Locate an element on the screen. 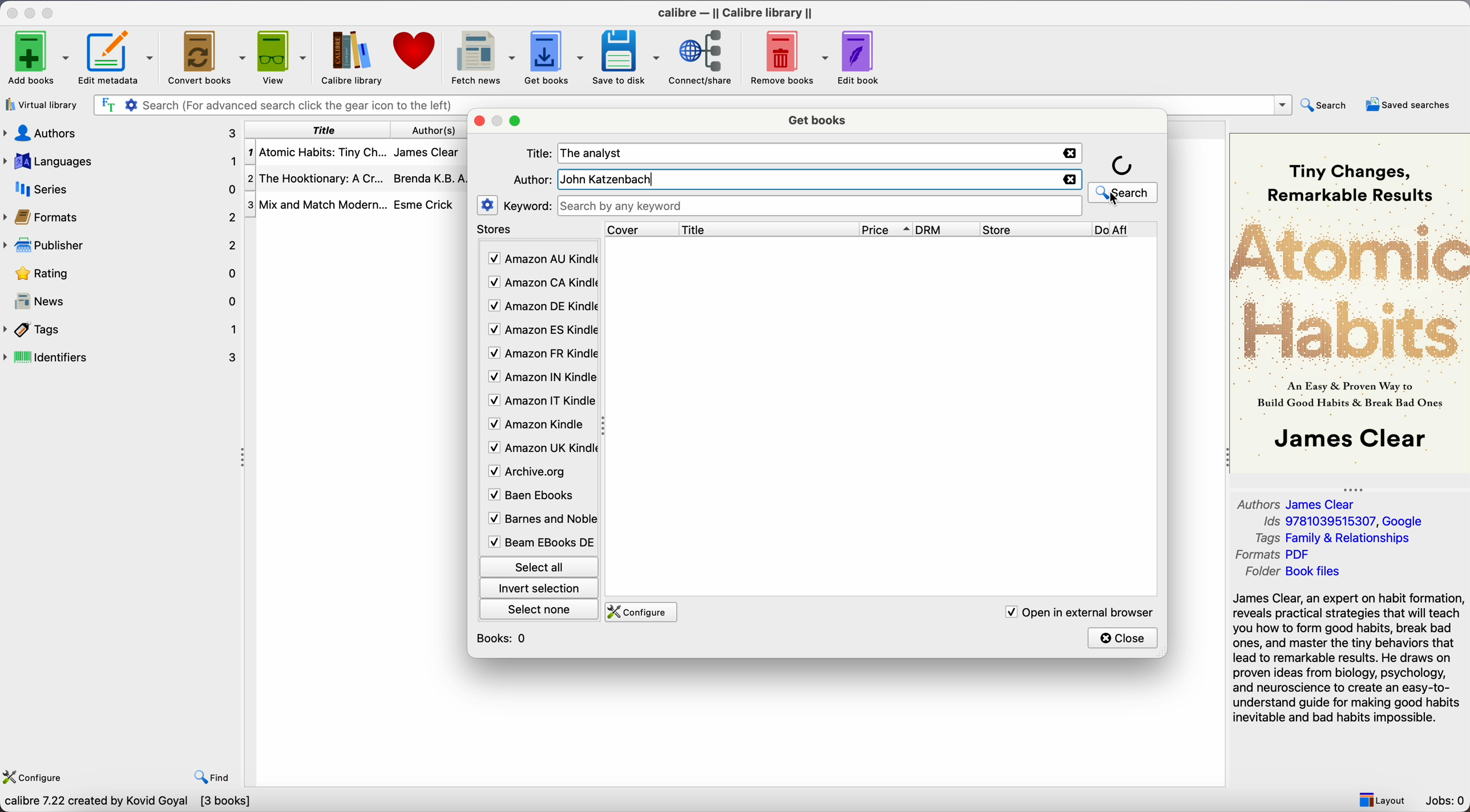 The image size is (1470, 812). title is located at coordinates (767, 229).